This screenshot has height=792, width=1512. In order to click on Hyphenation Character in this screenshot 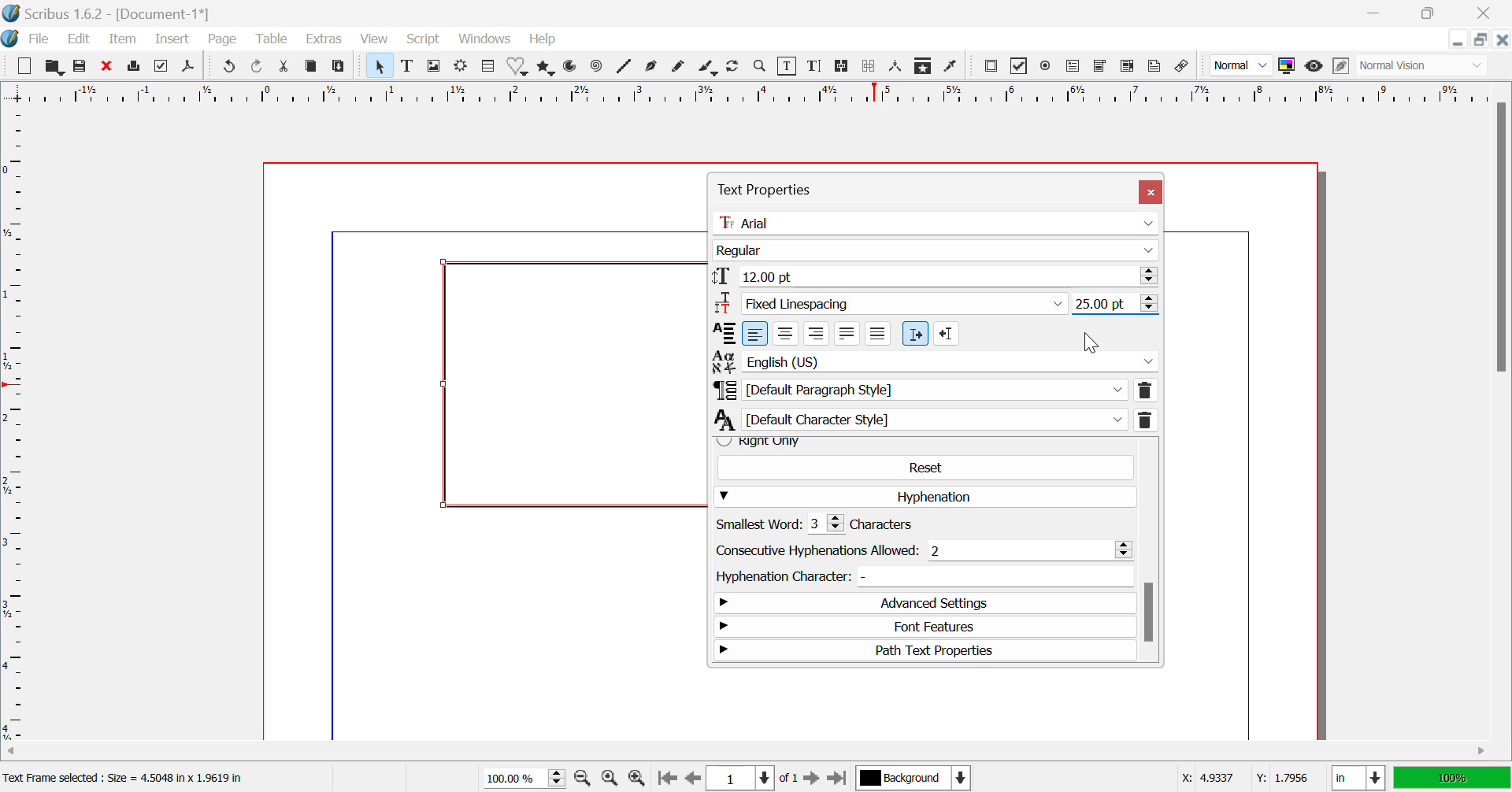, I will do `click(921, 576)`.